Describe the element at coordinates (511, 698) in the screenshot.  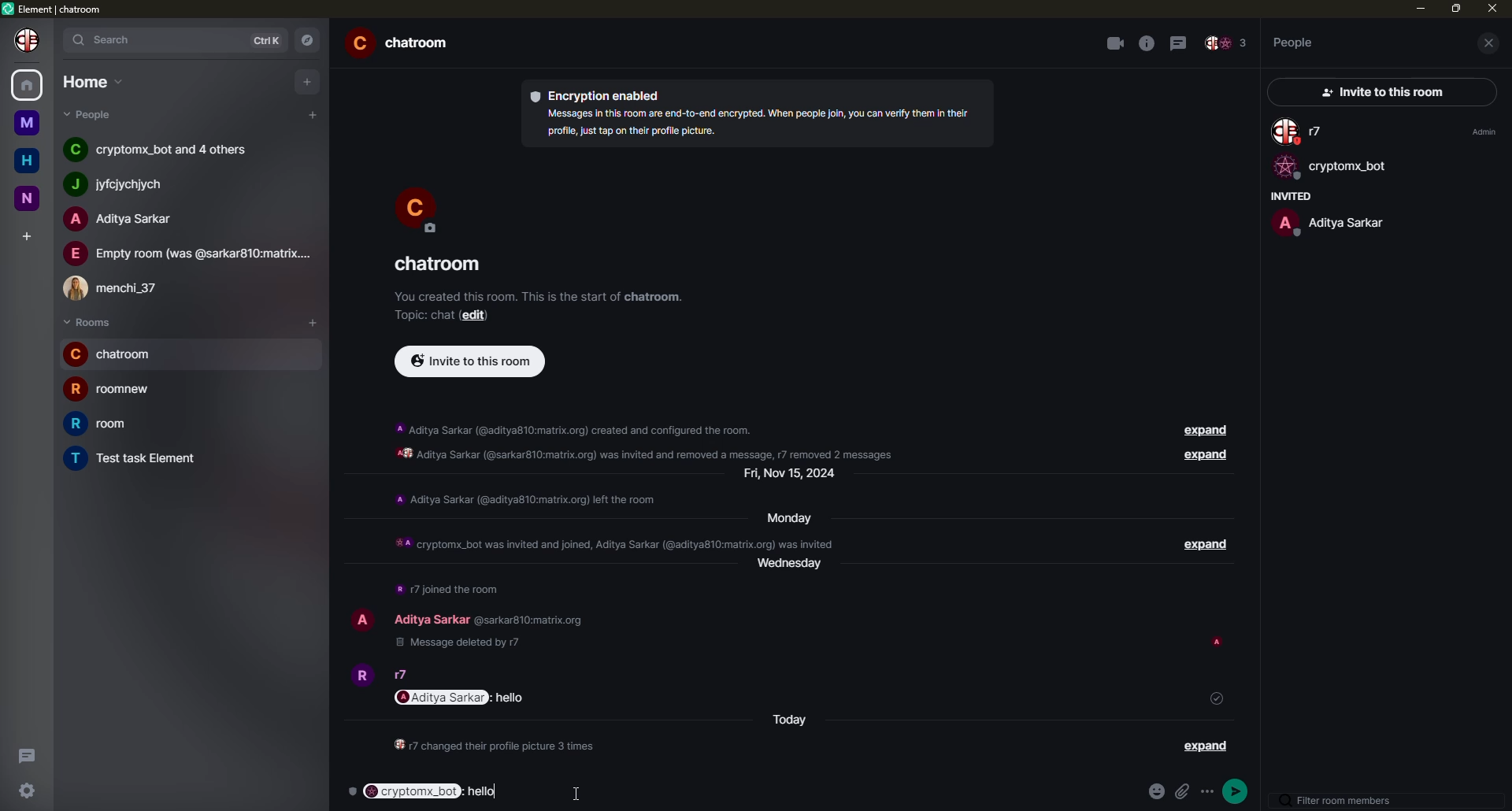
I see `message` at that location.